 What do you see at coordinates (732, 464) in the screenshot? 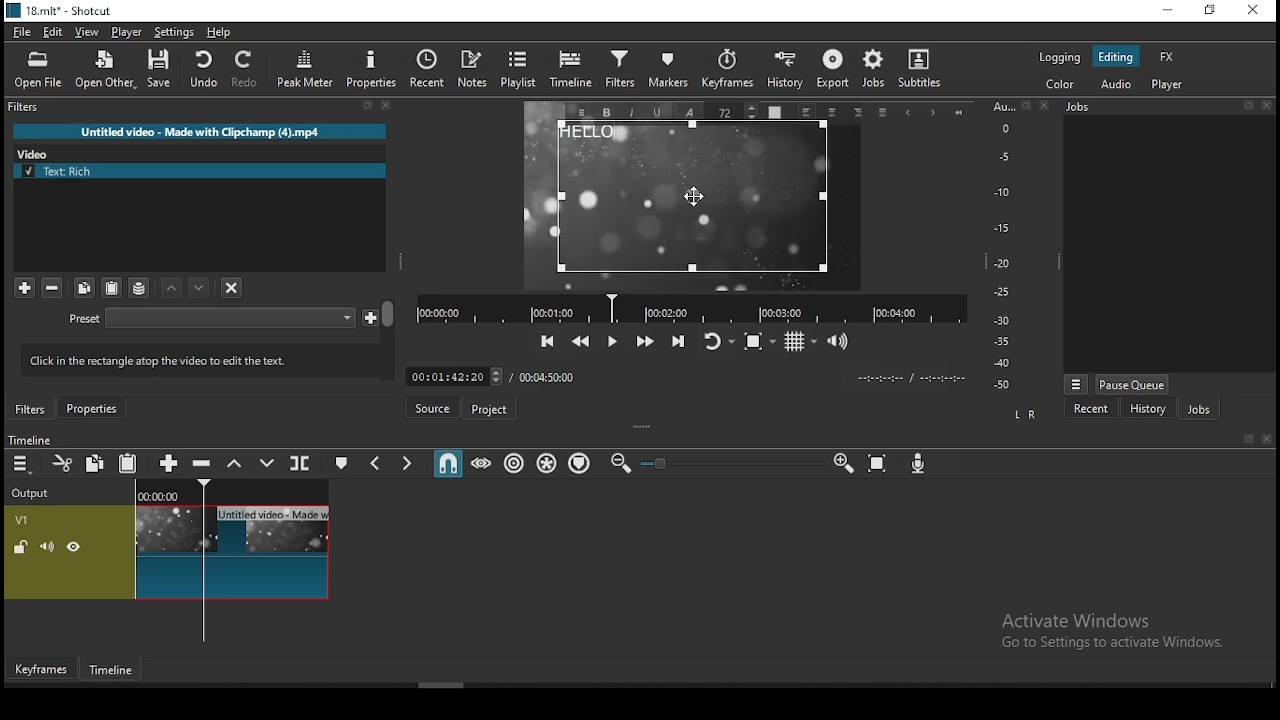
I see `Zoom Slider` at bounding box center [732, 464].